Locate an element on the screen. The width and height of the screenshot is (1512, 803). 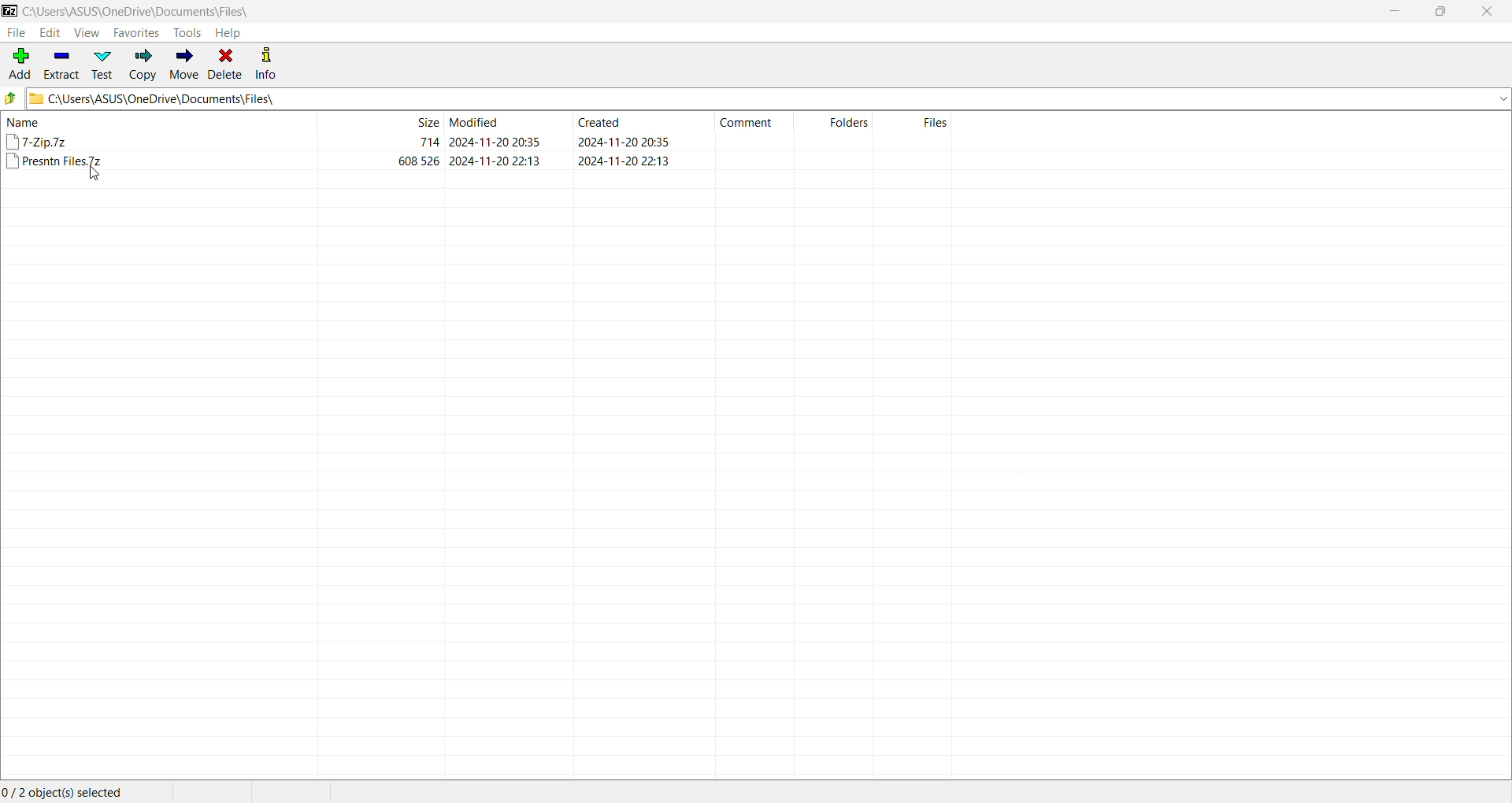
created date & time is located at coordinates (624, 160).